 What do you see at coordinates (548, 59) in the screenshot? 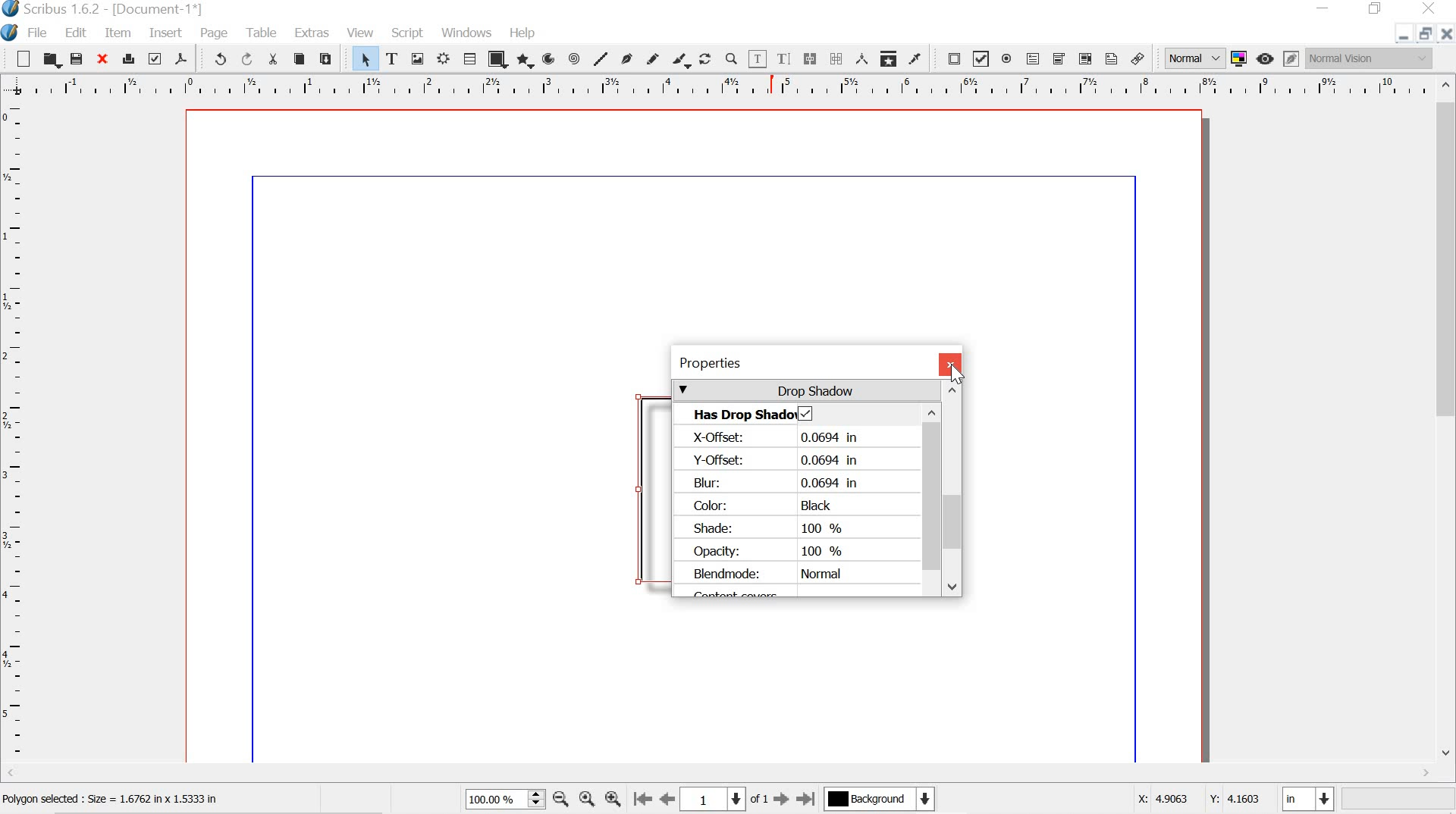
I see `arc` at bounding box center [548, 59].